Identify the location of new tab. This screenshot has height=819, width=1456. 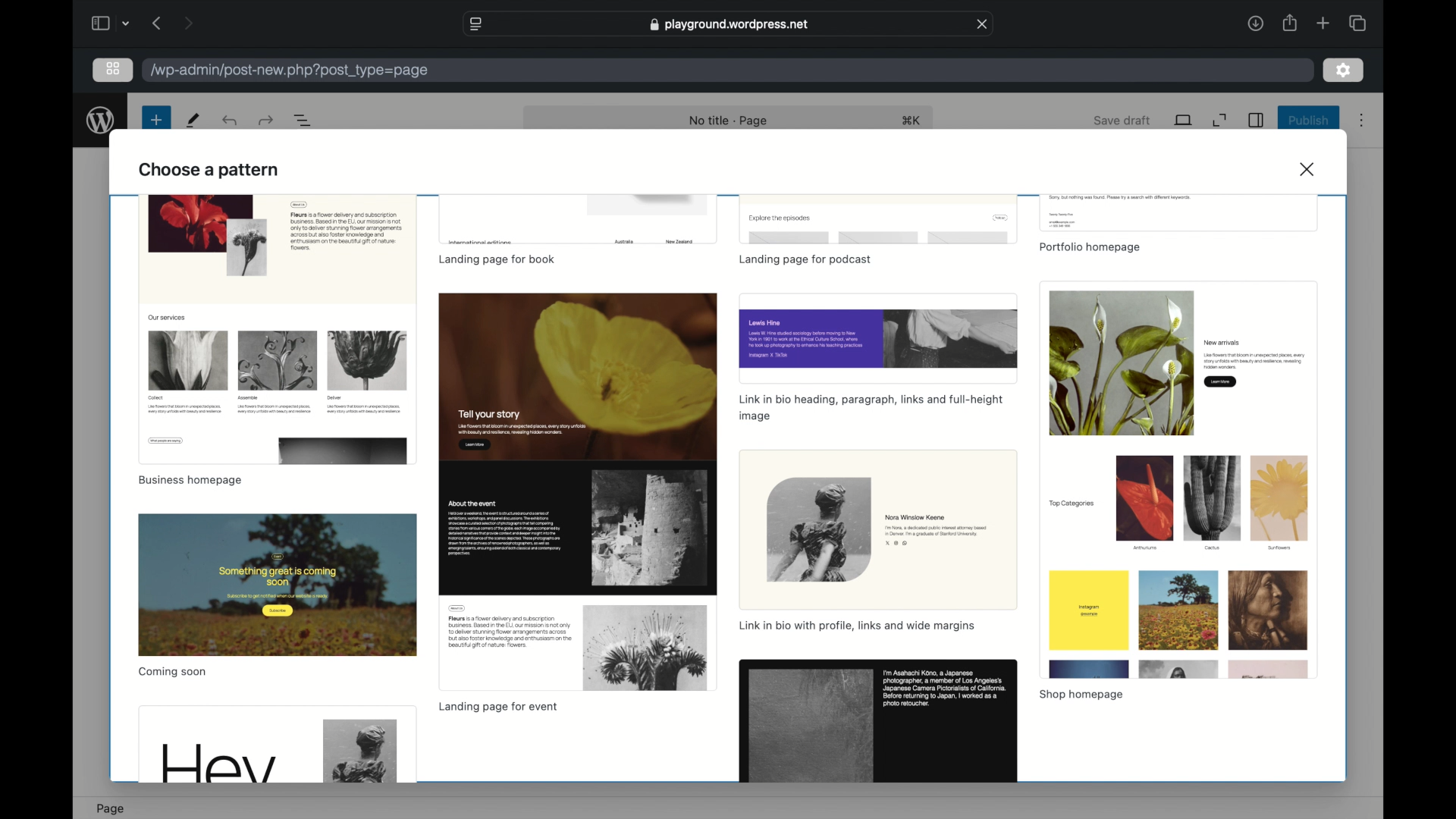
(1323, 23).